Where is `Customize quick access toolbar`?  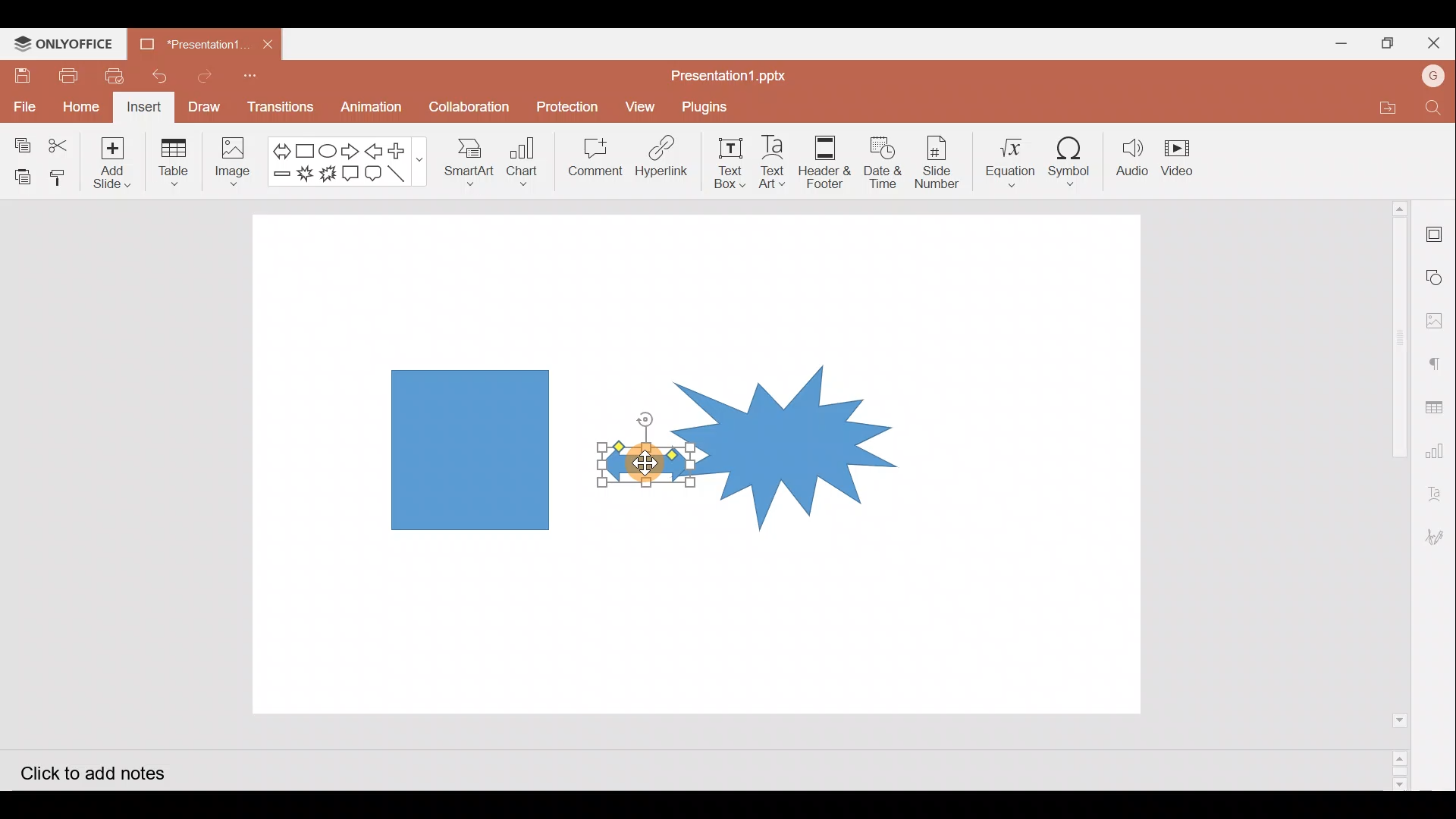 Customize quick access toolbar is located at coordinates (259, 76).